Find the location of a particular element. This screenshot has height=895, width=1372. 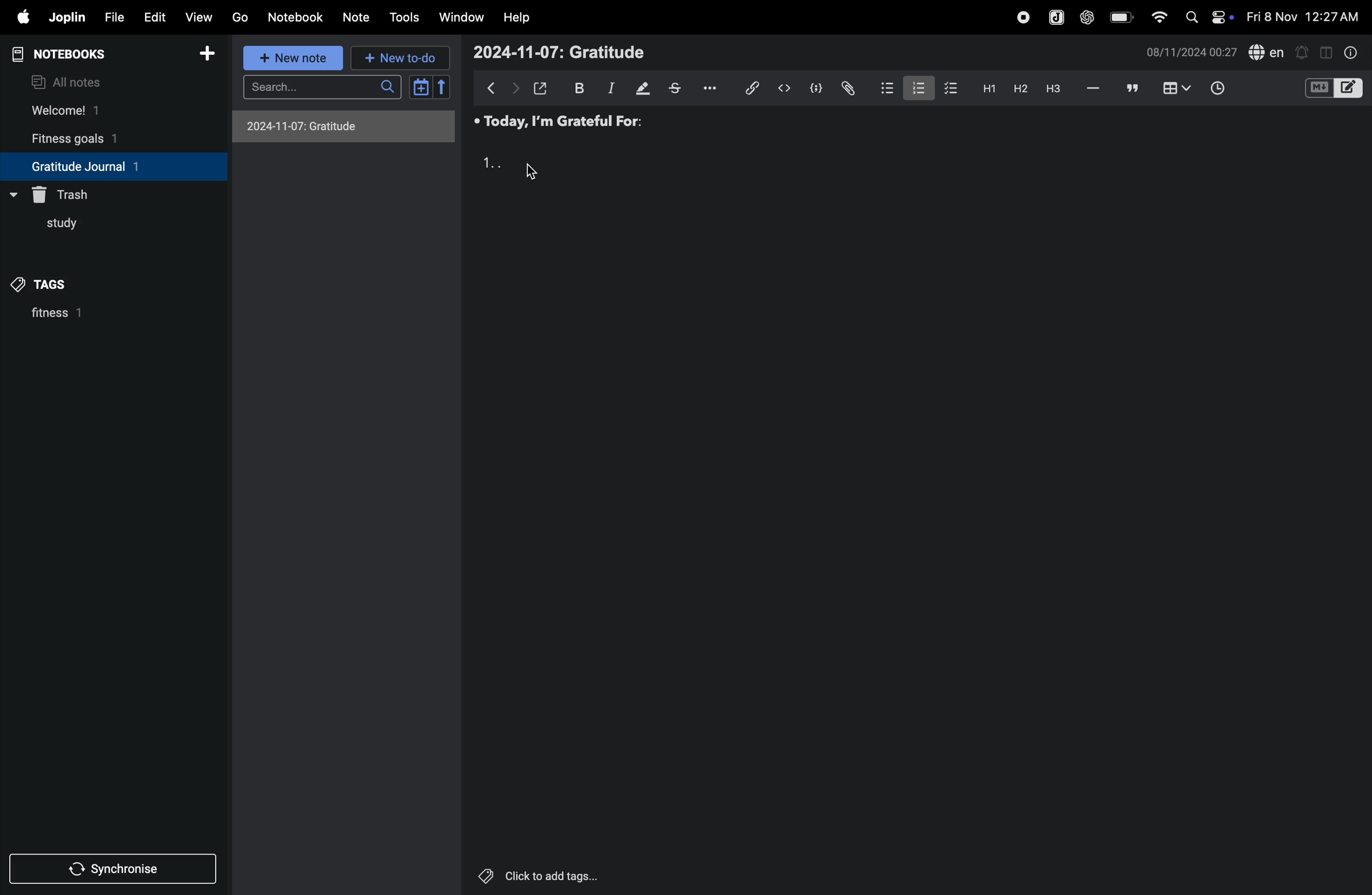

bold is located at coordinates (578, 87).